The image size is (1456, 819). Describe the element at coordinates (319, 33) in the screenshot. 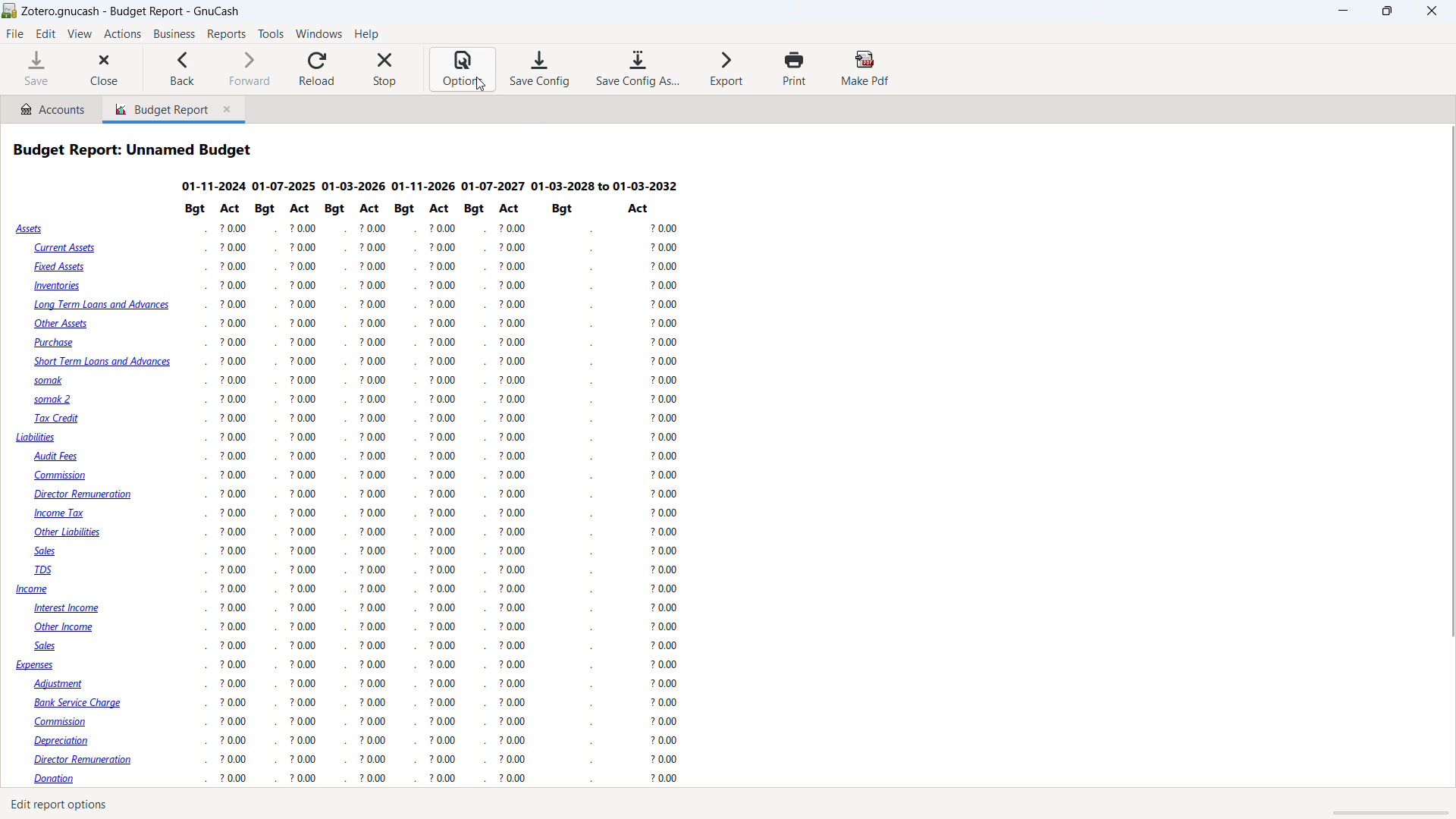

I see `windows` at that location.